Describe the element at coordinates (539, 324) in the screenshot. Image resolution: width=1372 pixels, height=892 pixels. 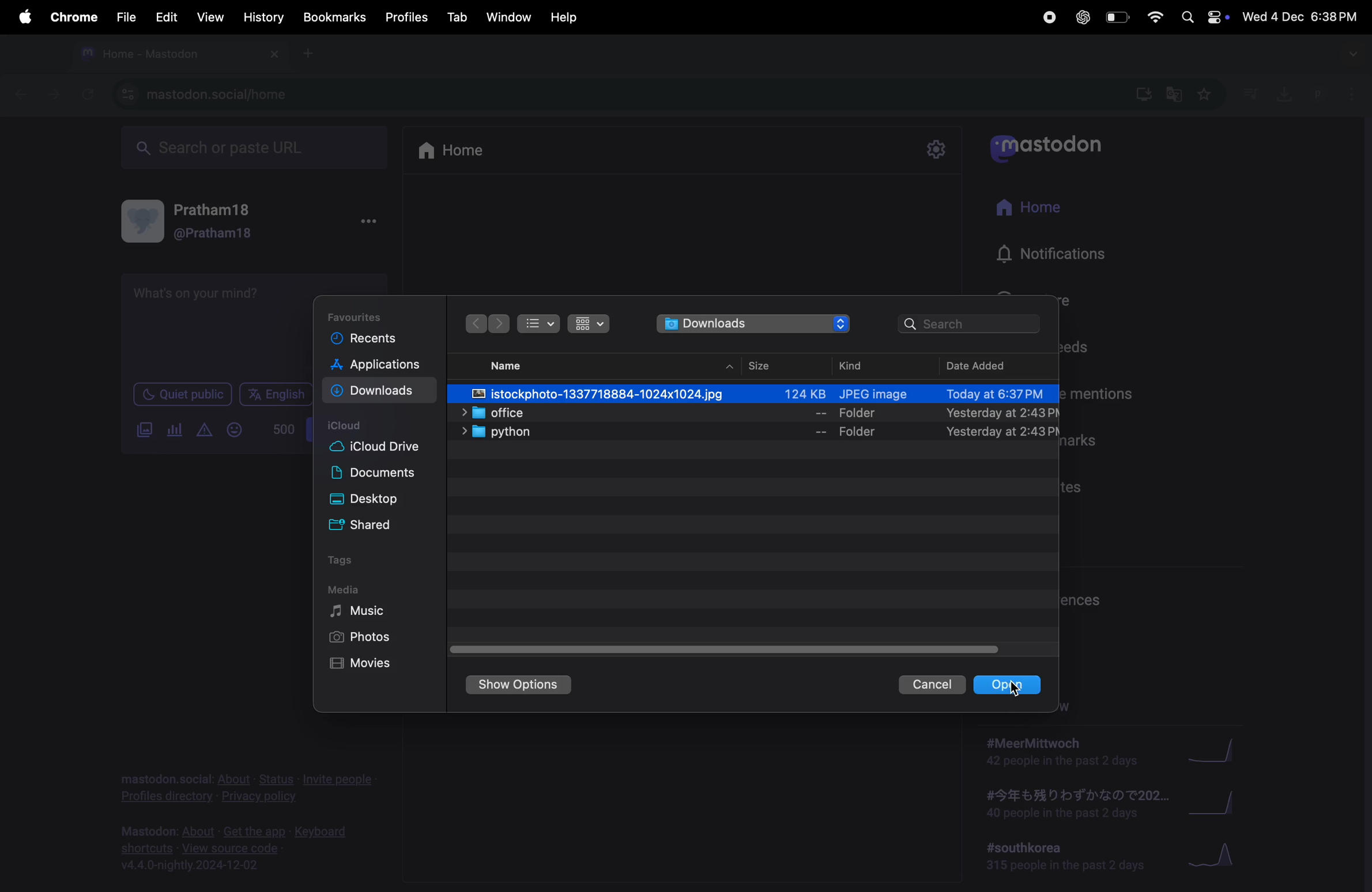
I see `bullet list` at that location.